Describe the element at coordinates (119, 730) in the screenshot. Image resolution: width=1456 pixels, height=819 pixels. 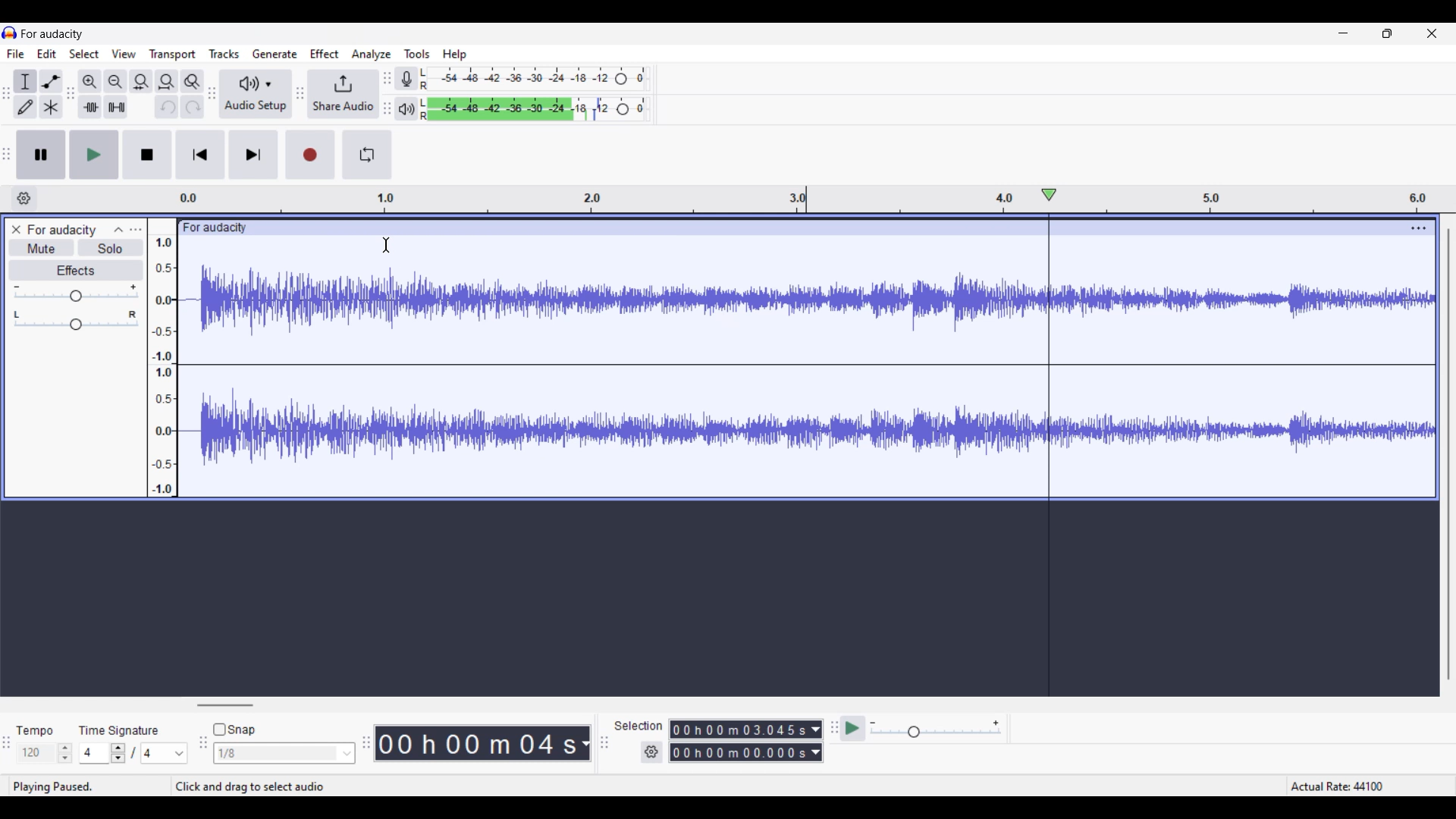
I see `time signature` at that location.